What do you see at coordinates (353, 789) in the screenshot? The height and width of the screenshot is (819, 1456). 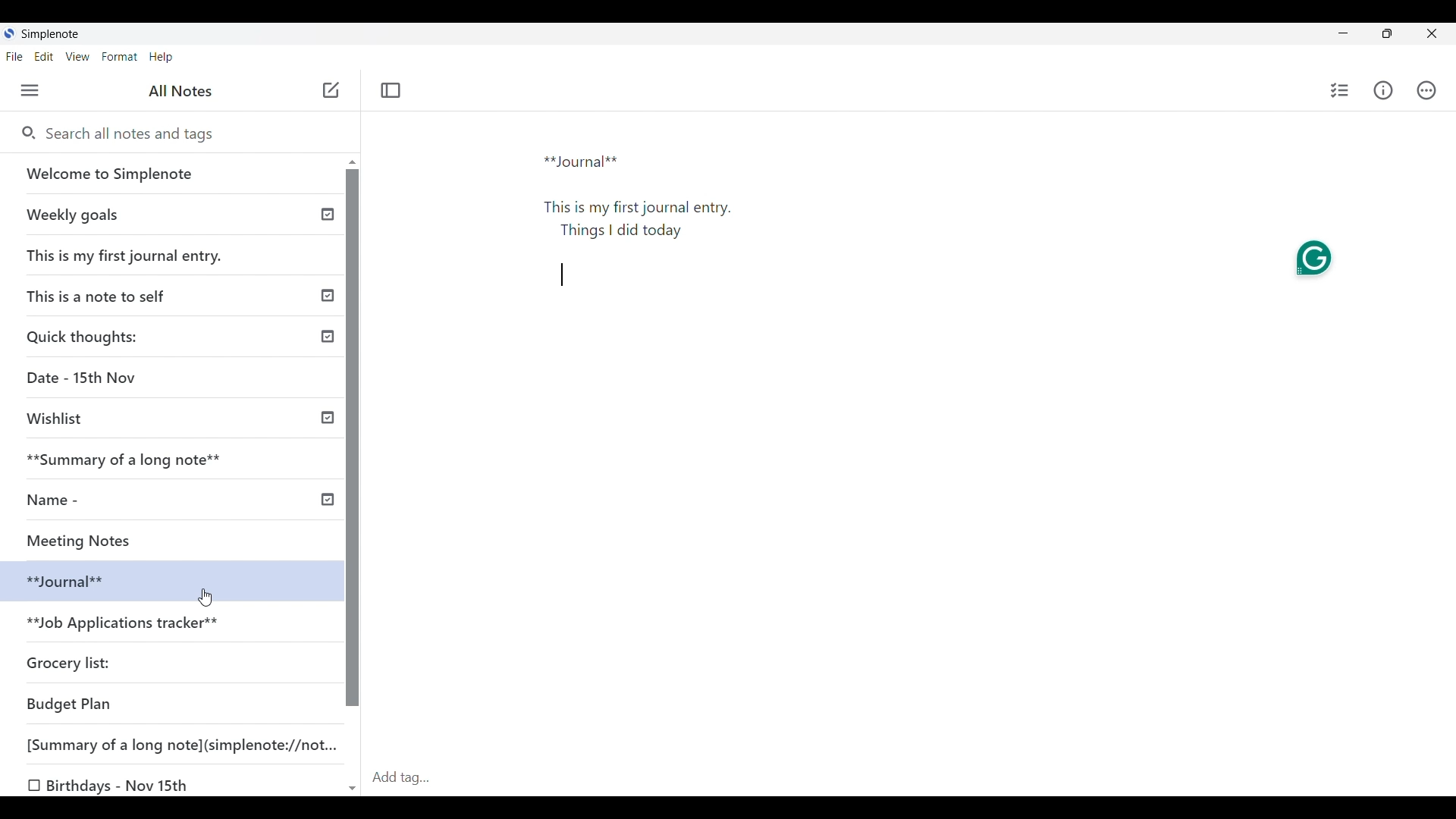 I see `Quick slide to bottom` at bounding box center [353, 789].